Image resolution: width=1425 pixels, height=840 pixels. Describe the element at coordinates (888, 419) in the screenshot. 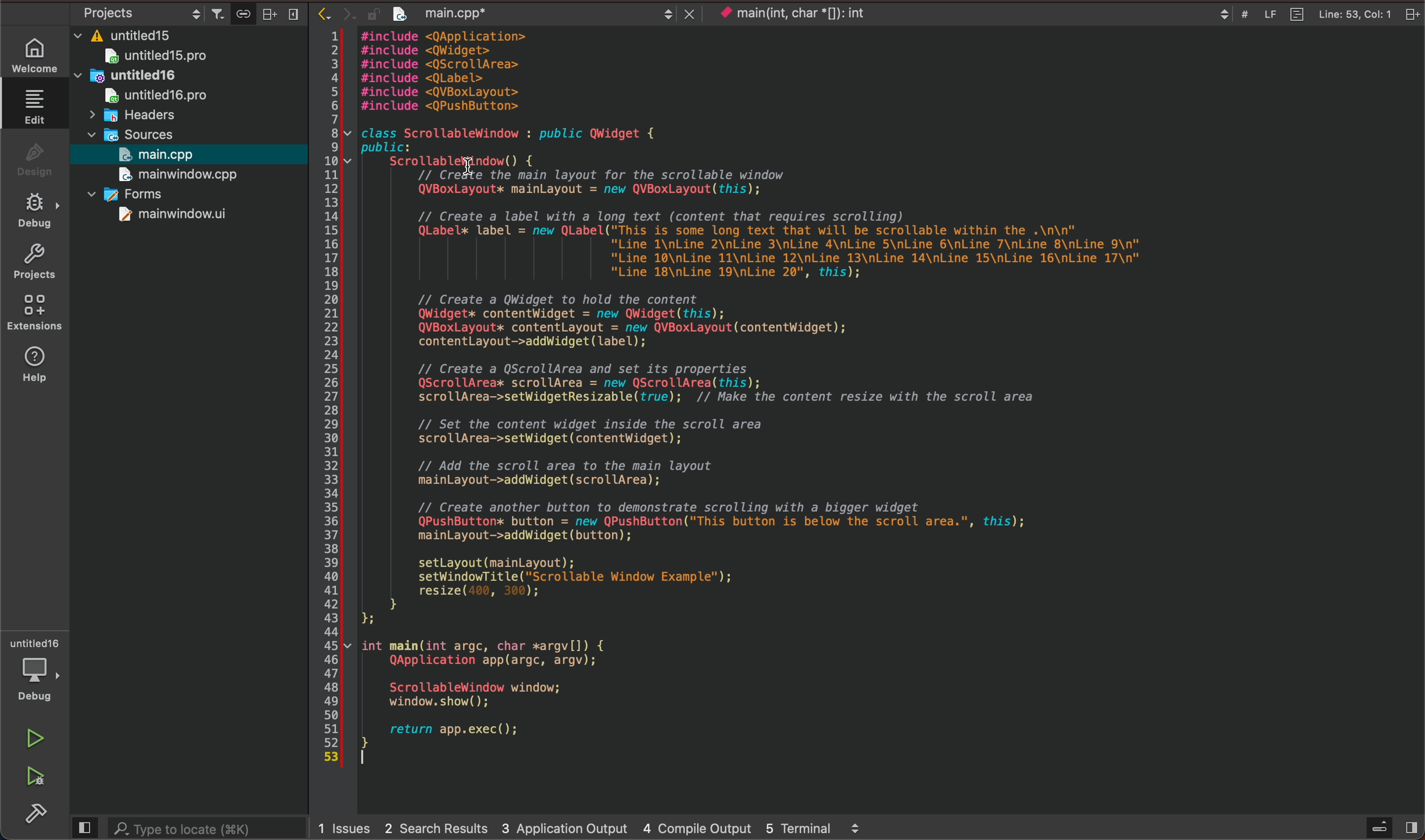

I see `updated code` at that location.